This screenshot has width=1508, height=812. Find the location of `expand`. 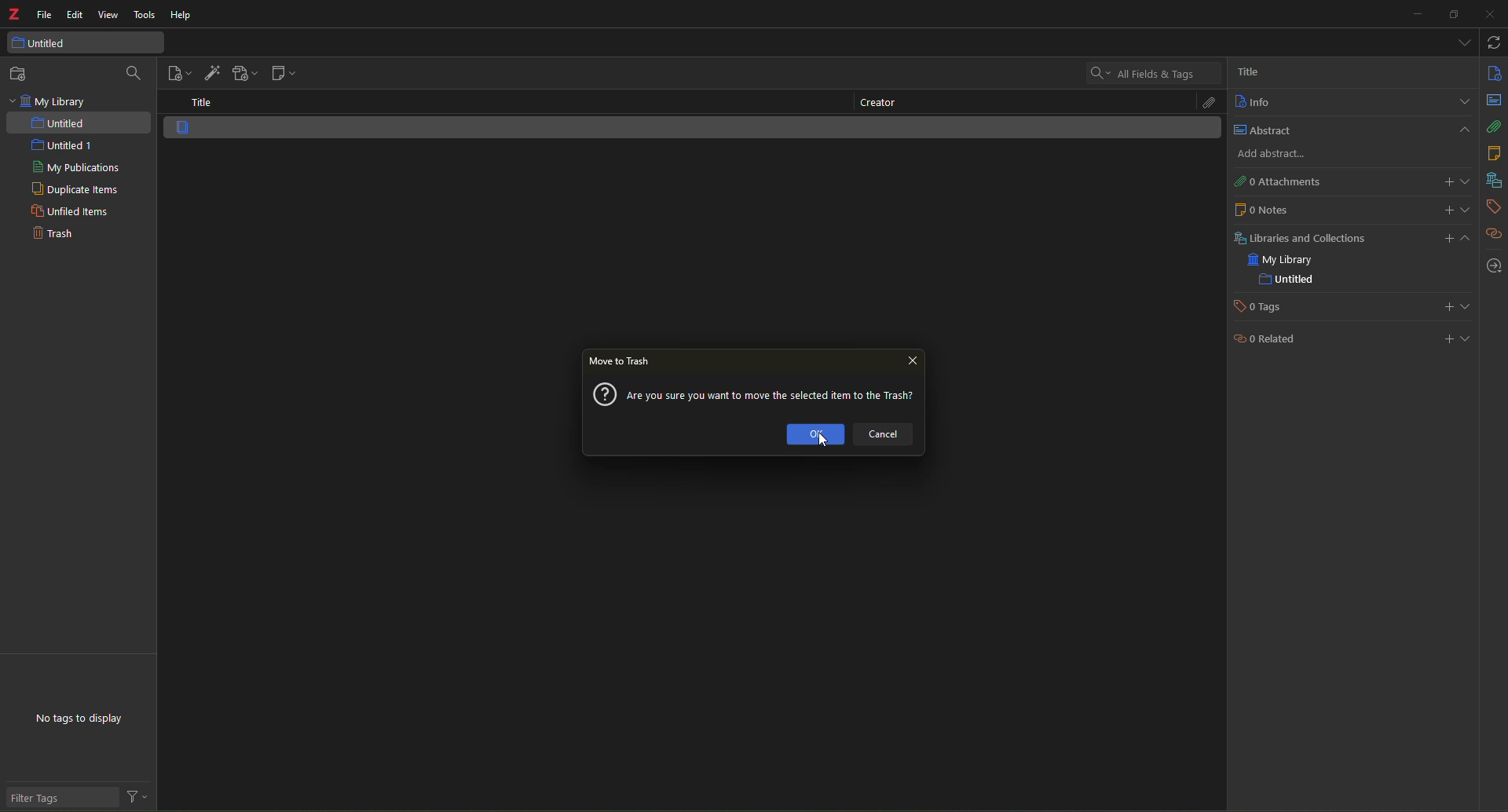

expand is located at coordinates (1468, 210).